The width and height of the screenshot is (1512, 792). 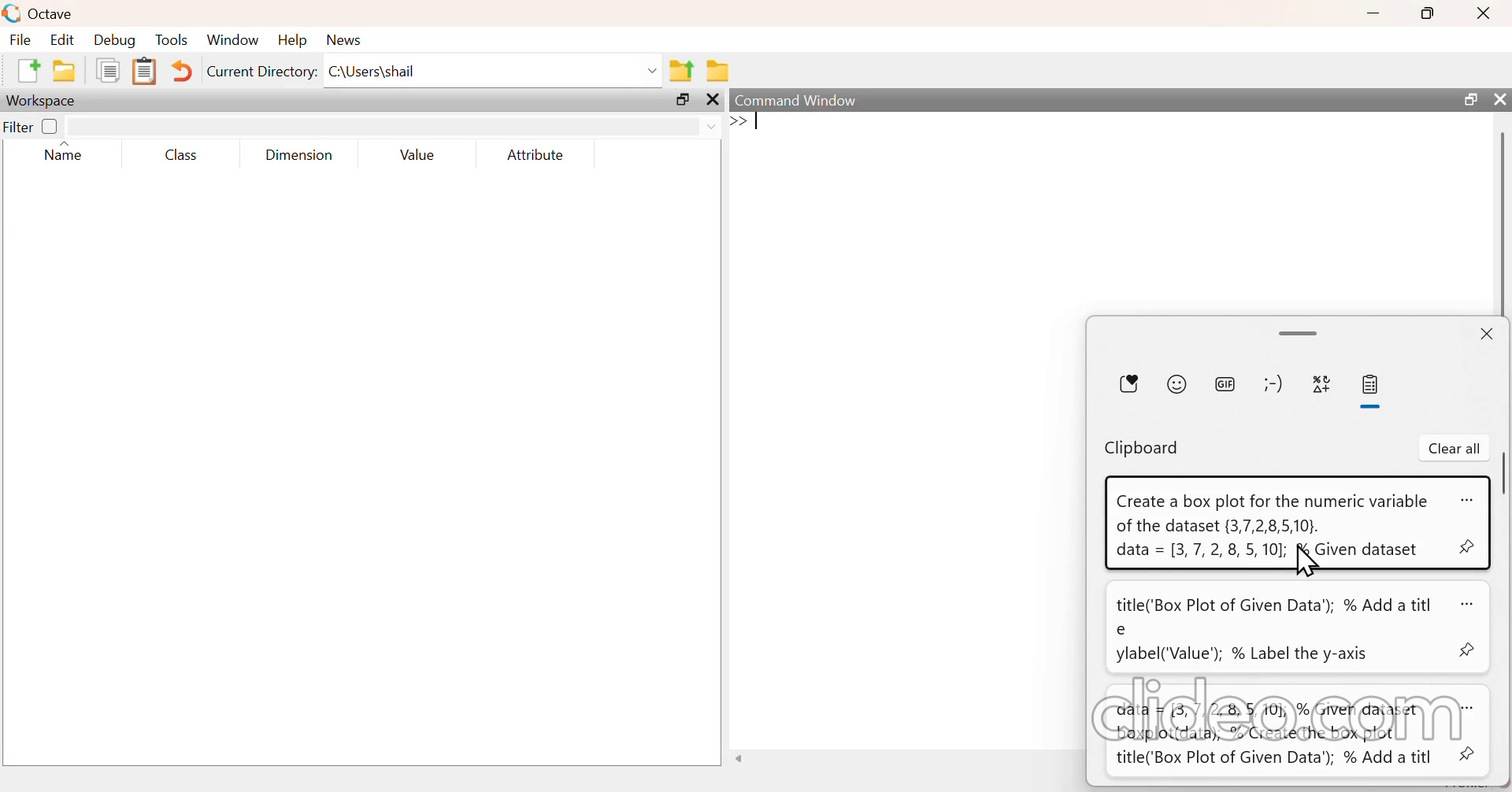 What do you see at coordinates (1465, 99) in the screenshot?
I see `maximize` at bounding box center [1465, 99].